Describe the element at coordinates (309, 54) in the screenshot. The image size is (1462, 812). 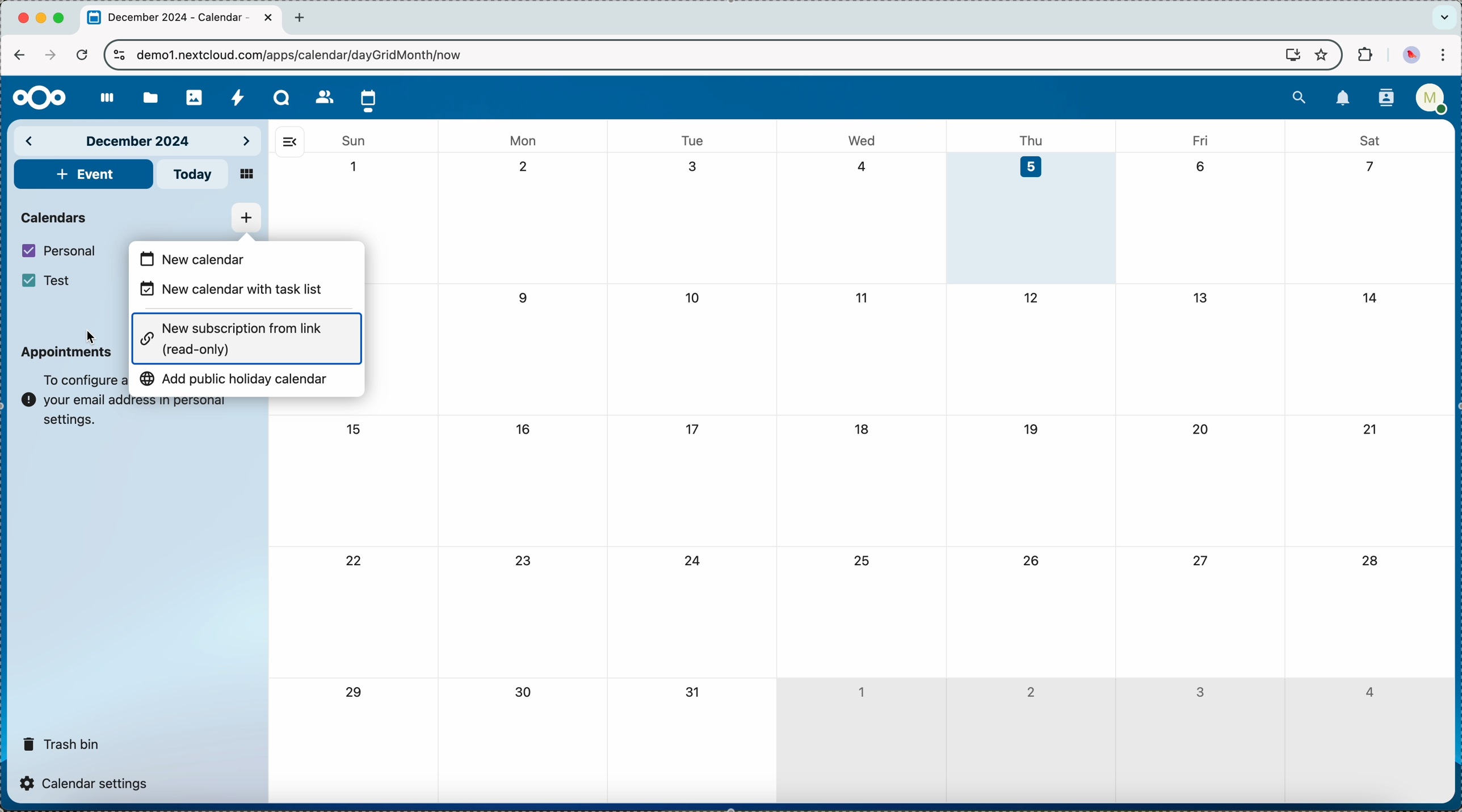
I see `URL` at that location.